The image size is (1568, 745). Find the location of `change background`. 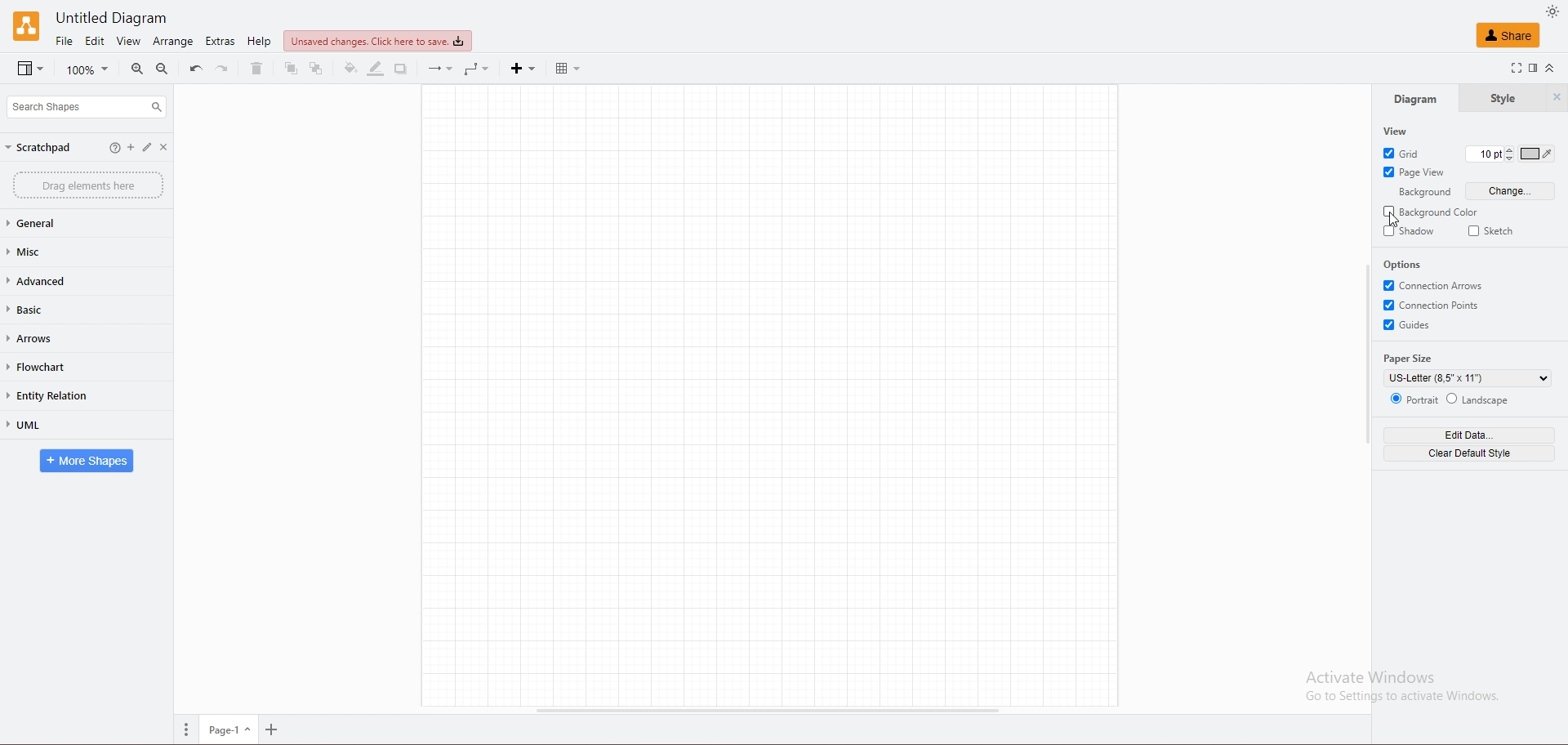

change background is located at coordinates (1512, 191).